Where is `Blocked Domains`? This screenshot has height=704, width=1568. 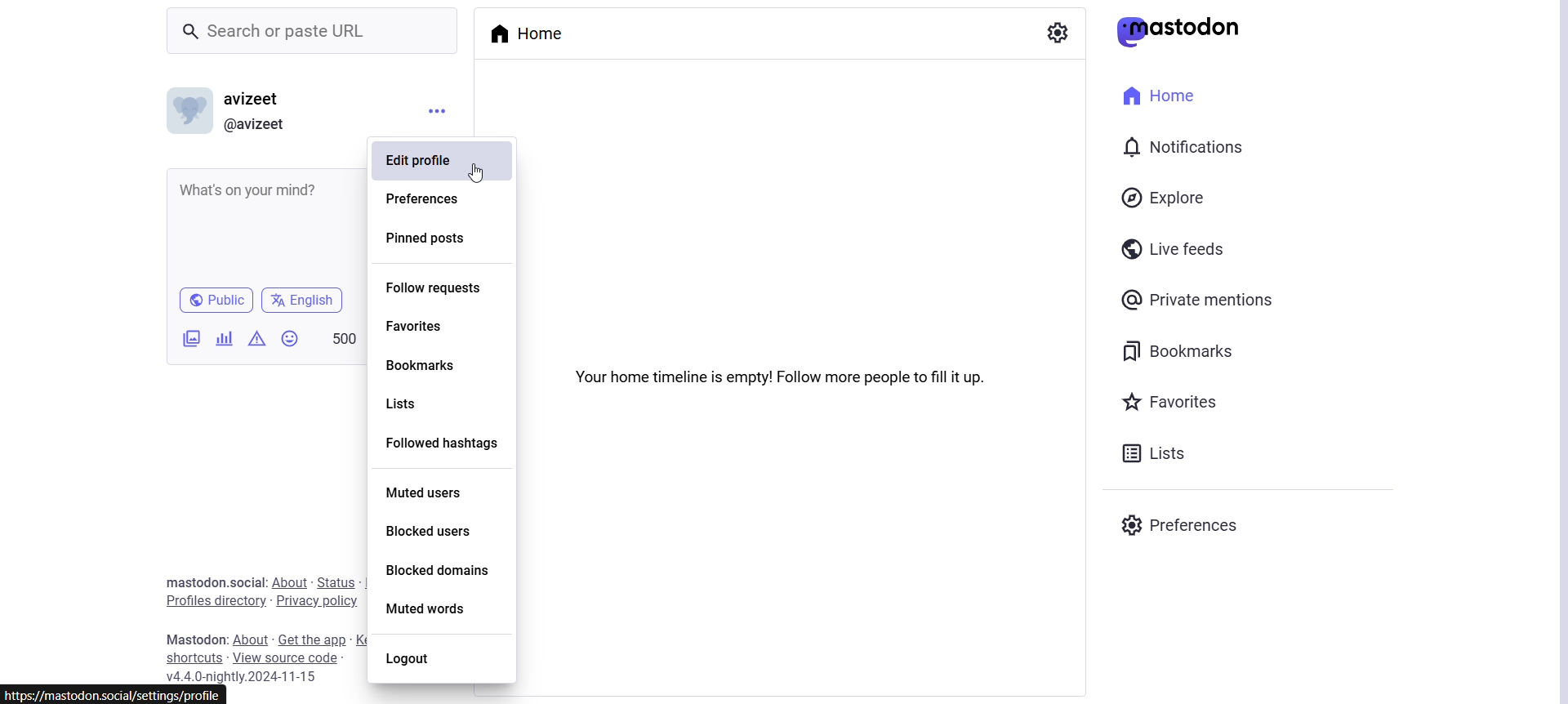 Blocked Domains is located at coordinates (443, 568).